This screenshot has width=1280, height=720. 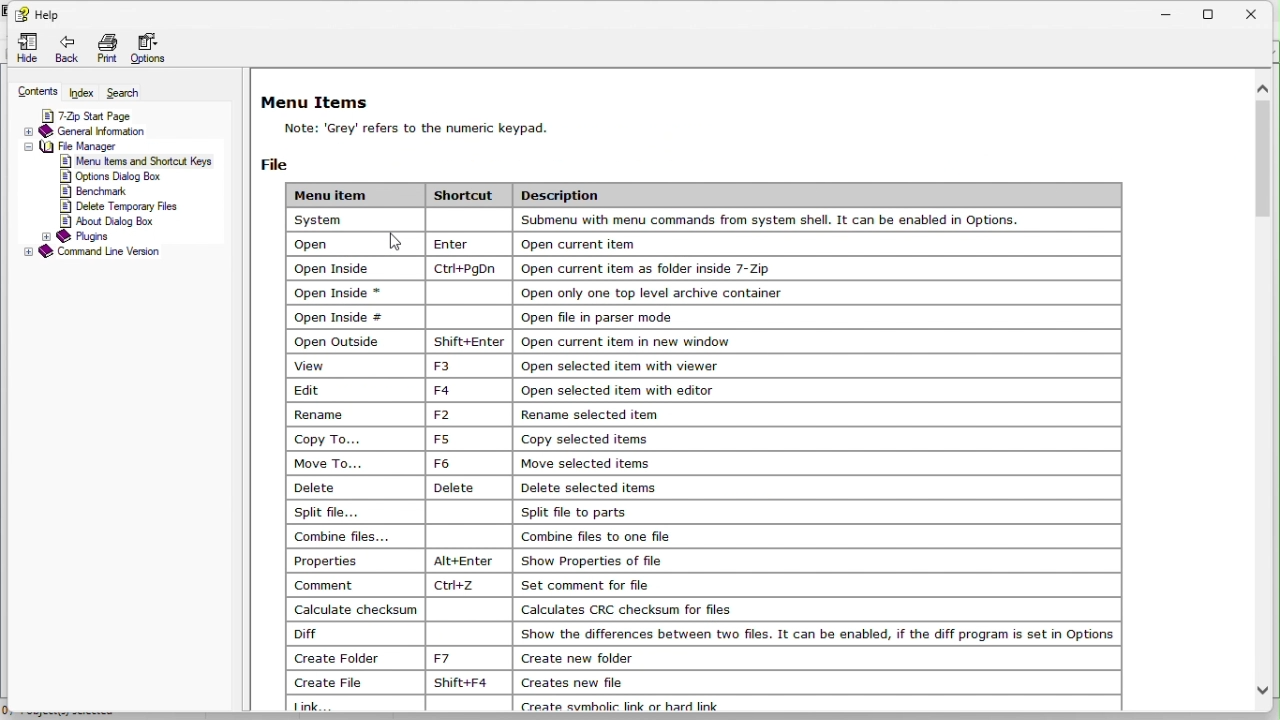 What do you see at coordinates (77, 238) in the screenshot?
I see `plugins` at bounding box center [77, 238].